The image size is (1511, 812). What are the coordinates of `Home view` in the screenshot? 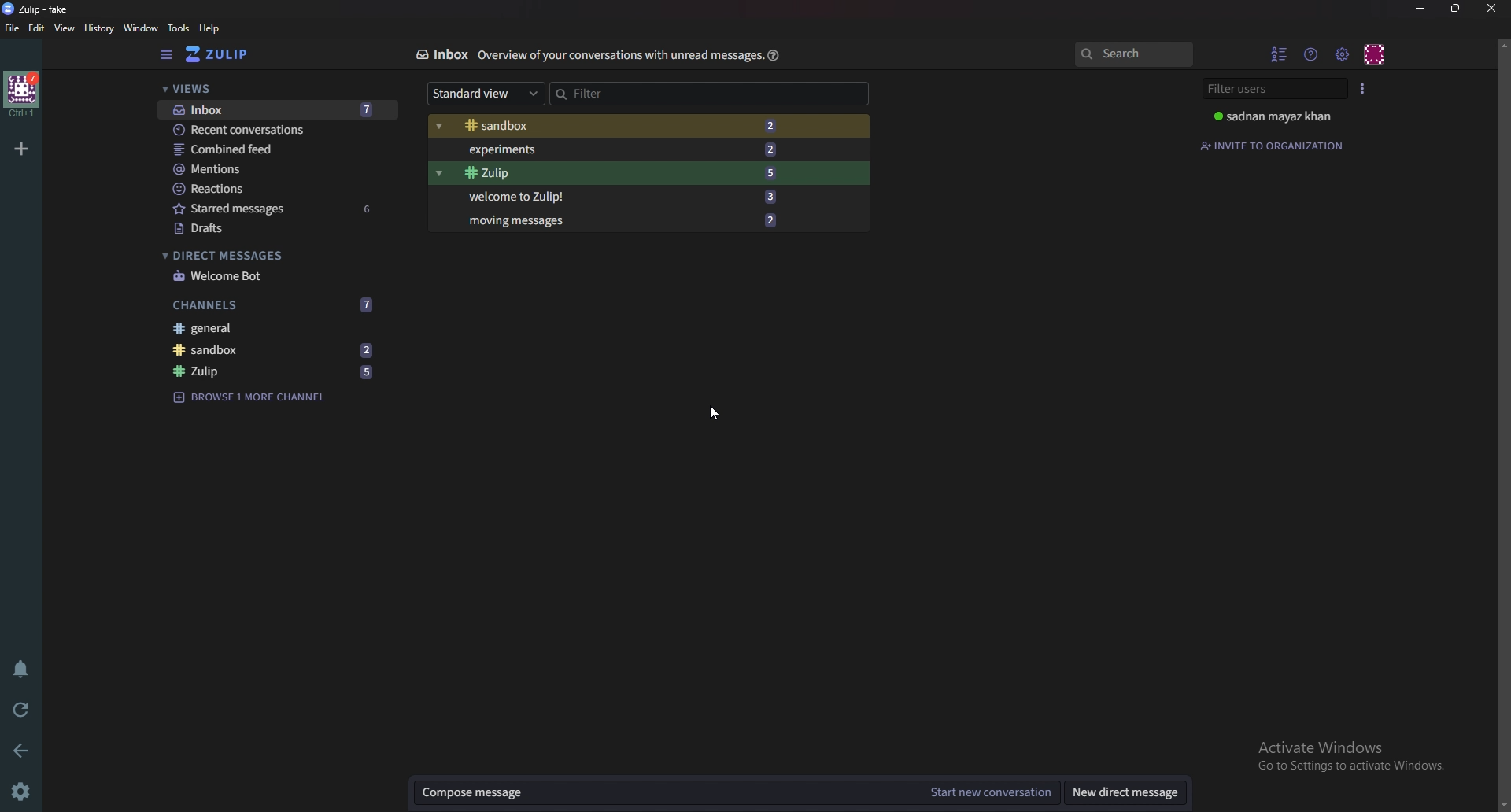 It's located at (228, 54).